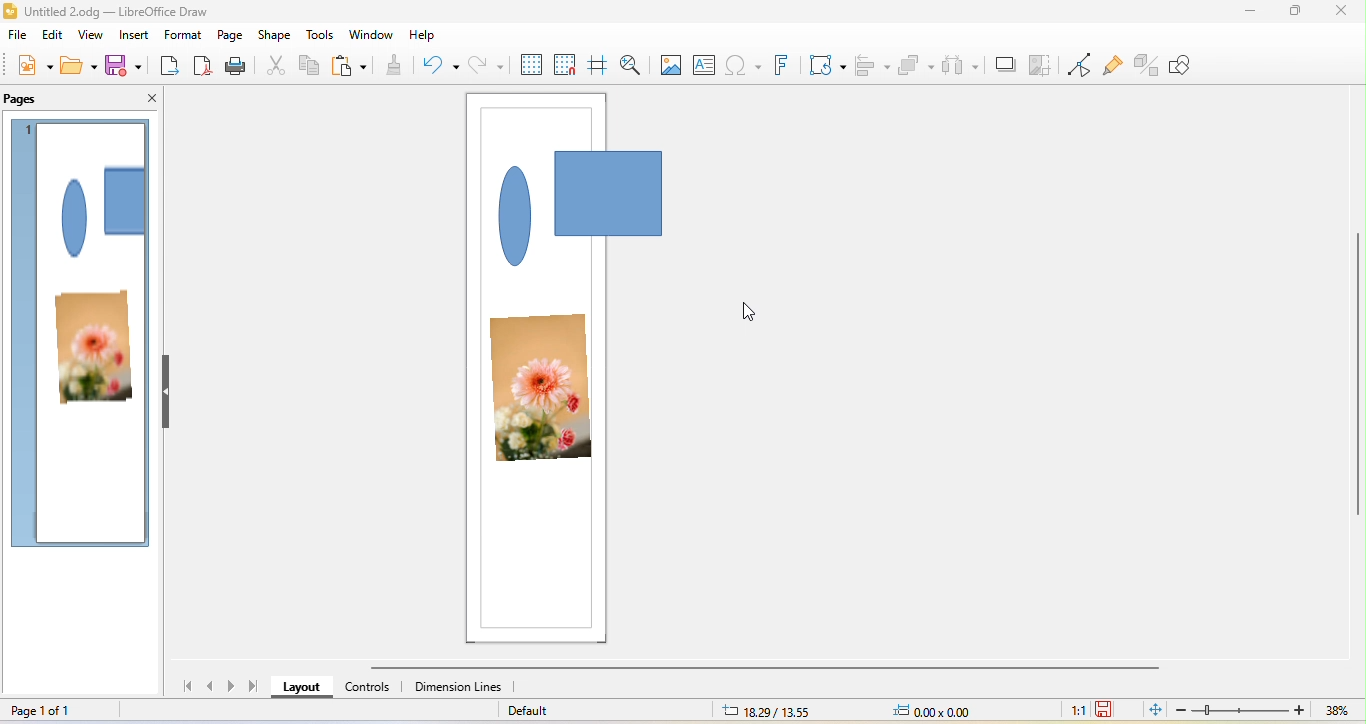 Image resolution: width=1366 pixels, height=724 pixels. Describe the element at coordinates (58, 710) in the screenshot. I see `page 1 of 1` at that location.